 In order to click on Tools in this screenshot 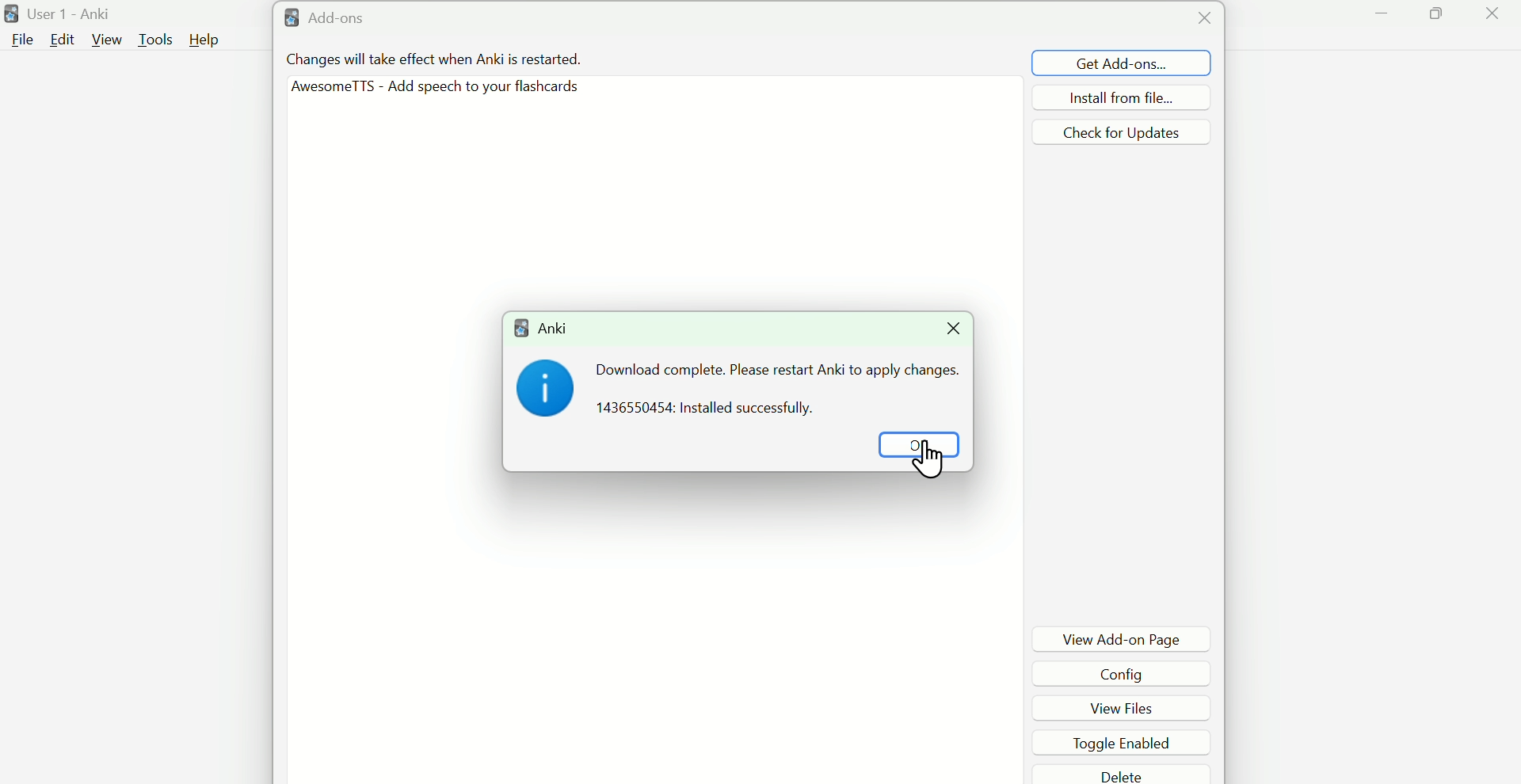, I will do `click(157, 39)`.